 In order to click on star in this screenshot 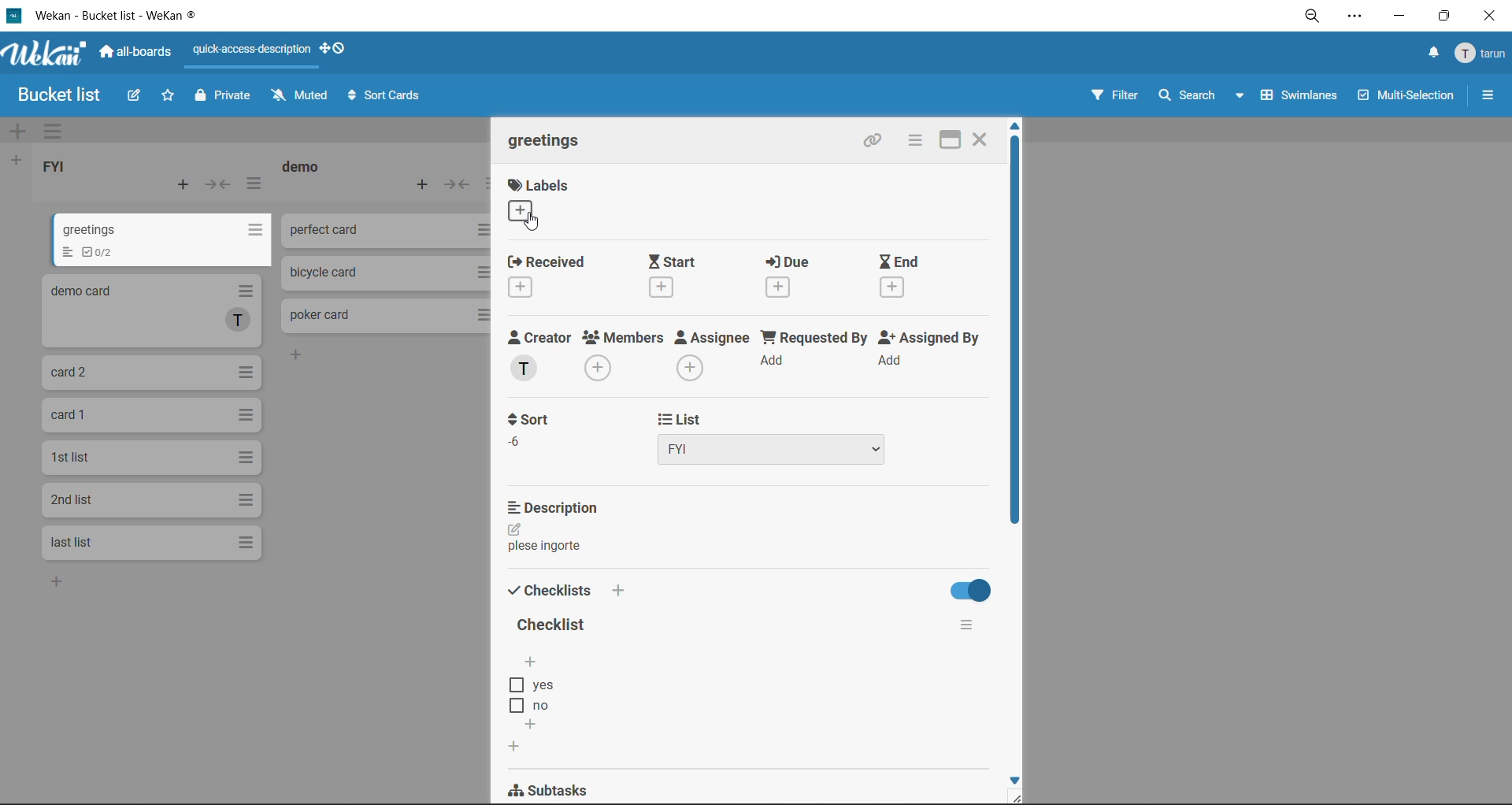, I will do `click(169, 98)`.